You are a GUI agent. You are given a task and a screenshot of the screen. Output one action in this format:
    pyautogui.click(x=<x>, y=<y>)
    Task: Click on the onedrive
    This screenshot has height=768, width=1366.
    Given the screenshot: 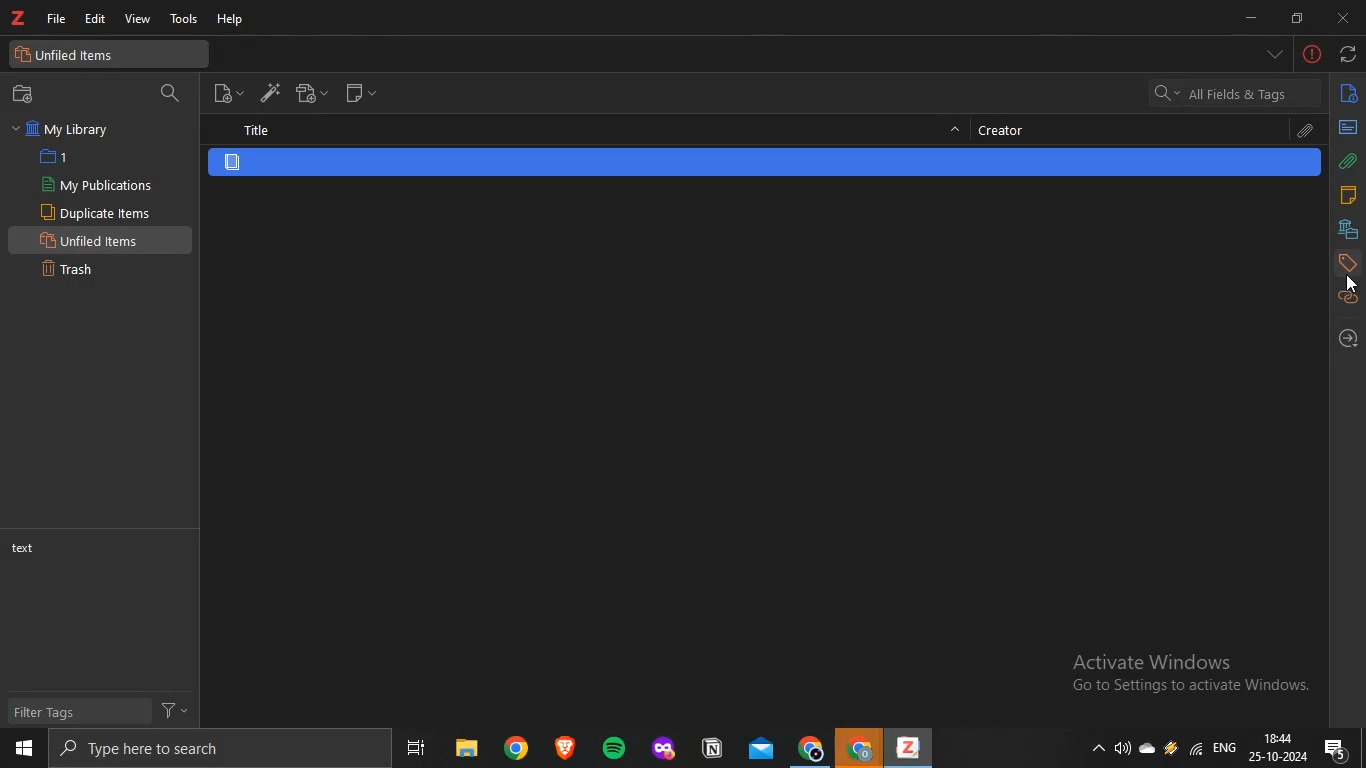 What is the action you would take?
    pyautogui.click(x=1169, y=748)
    